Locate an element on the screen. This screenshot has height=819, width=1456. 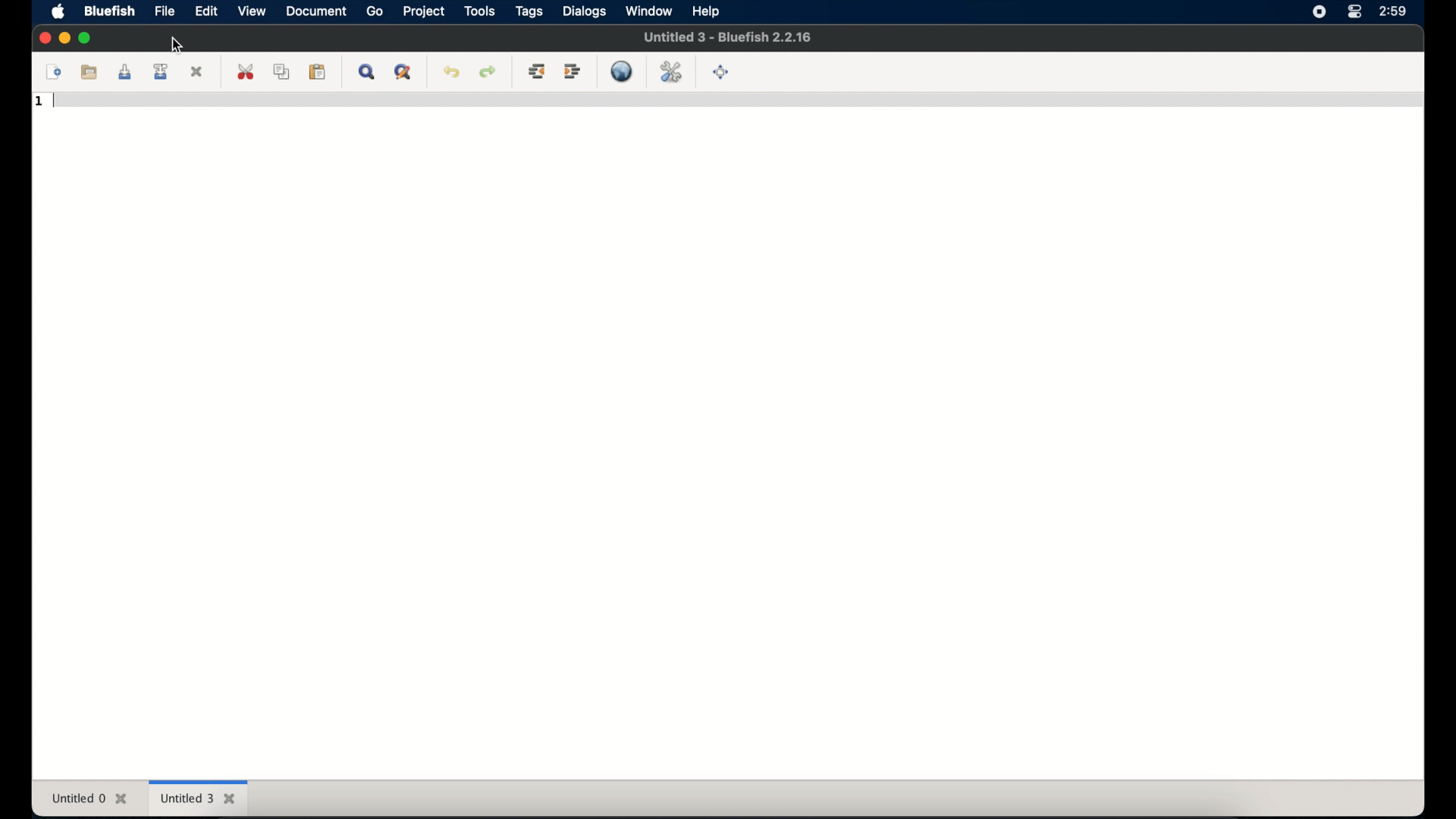
view is located at coordinates (252, 11).